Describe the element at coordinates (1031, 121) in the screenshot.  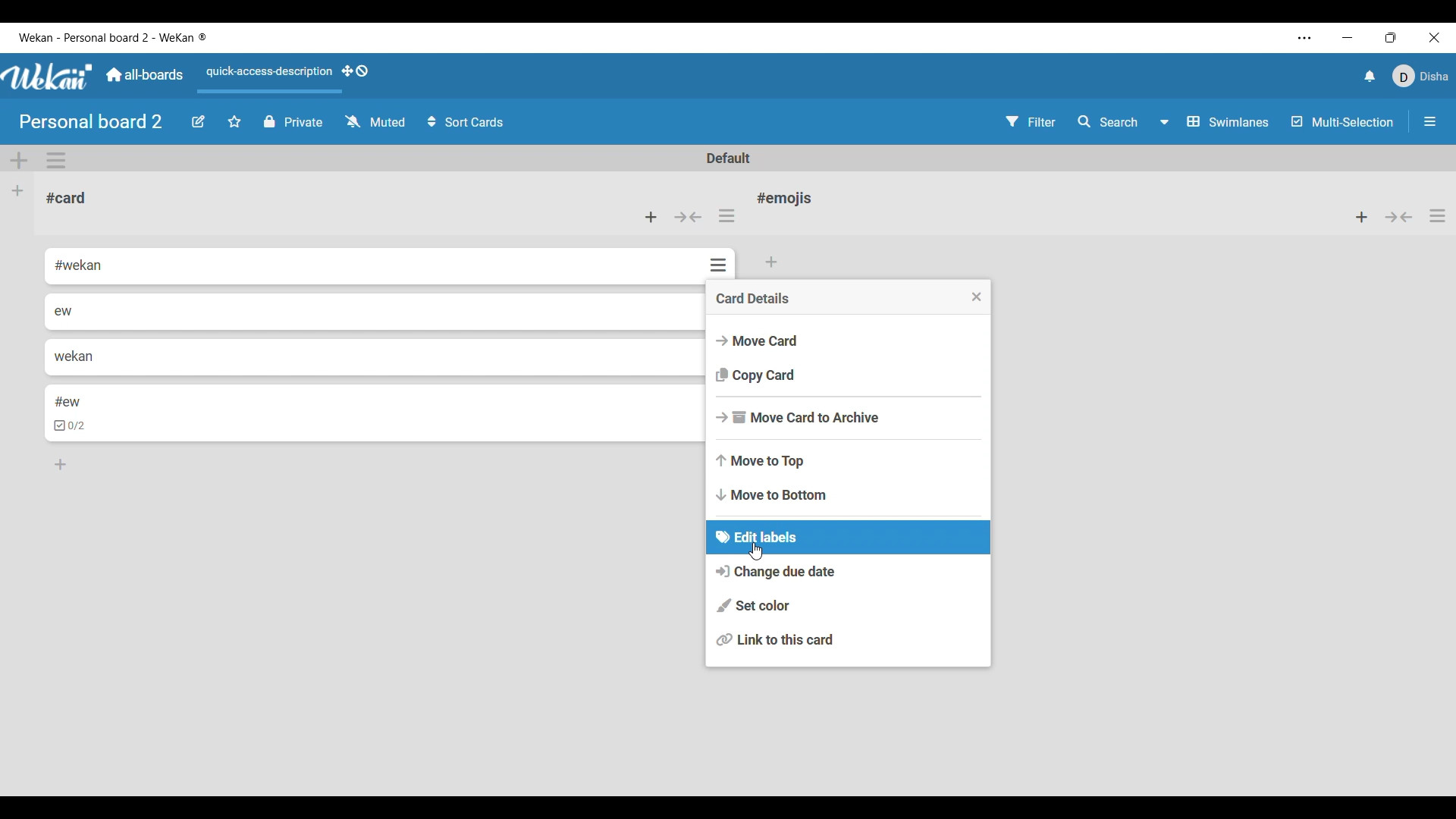
I see `Filter settings` at that location.